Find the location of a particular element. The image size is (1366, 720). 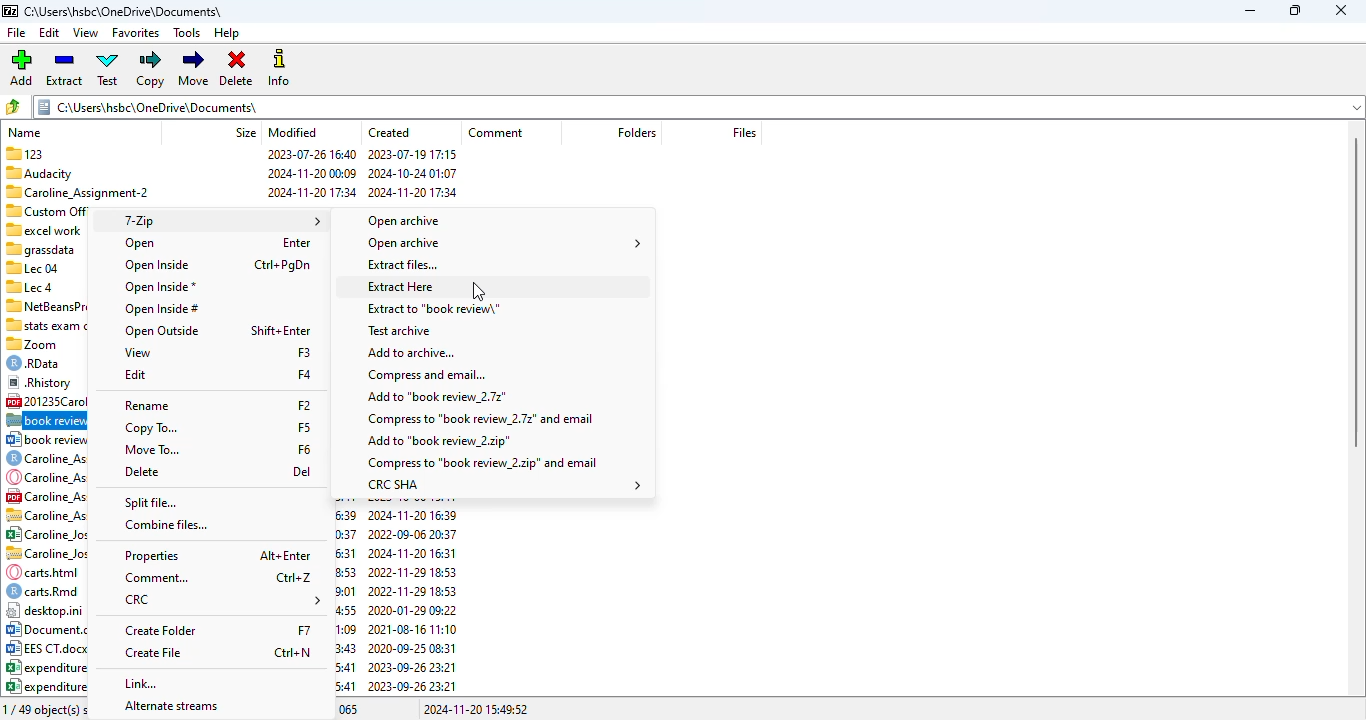

combine files is located at coordinates (166, 525).